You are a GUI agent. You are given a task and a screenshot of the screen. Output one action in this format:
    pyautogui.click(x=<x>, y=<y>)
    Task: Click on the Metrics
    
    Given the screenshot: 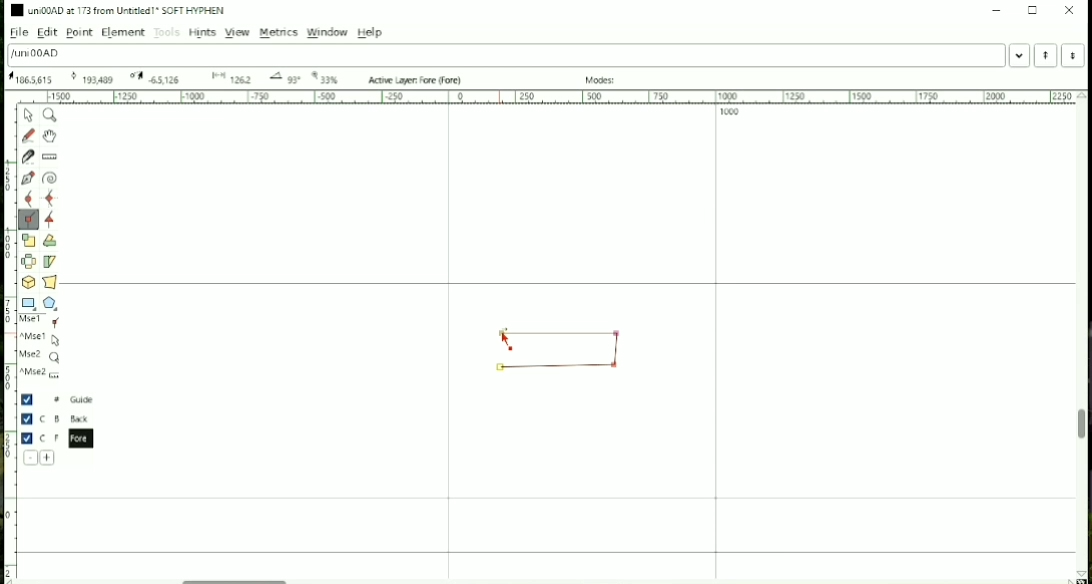 What is the action you would take?
    pyautogui.click(x=279, y=33)
    